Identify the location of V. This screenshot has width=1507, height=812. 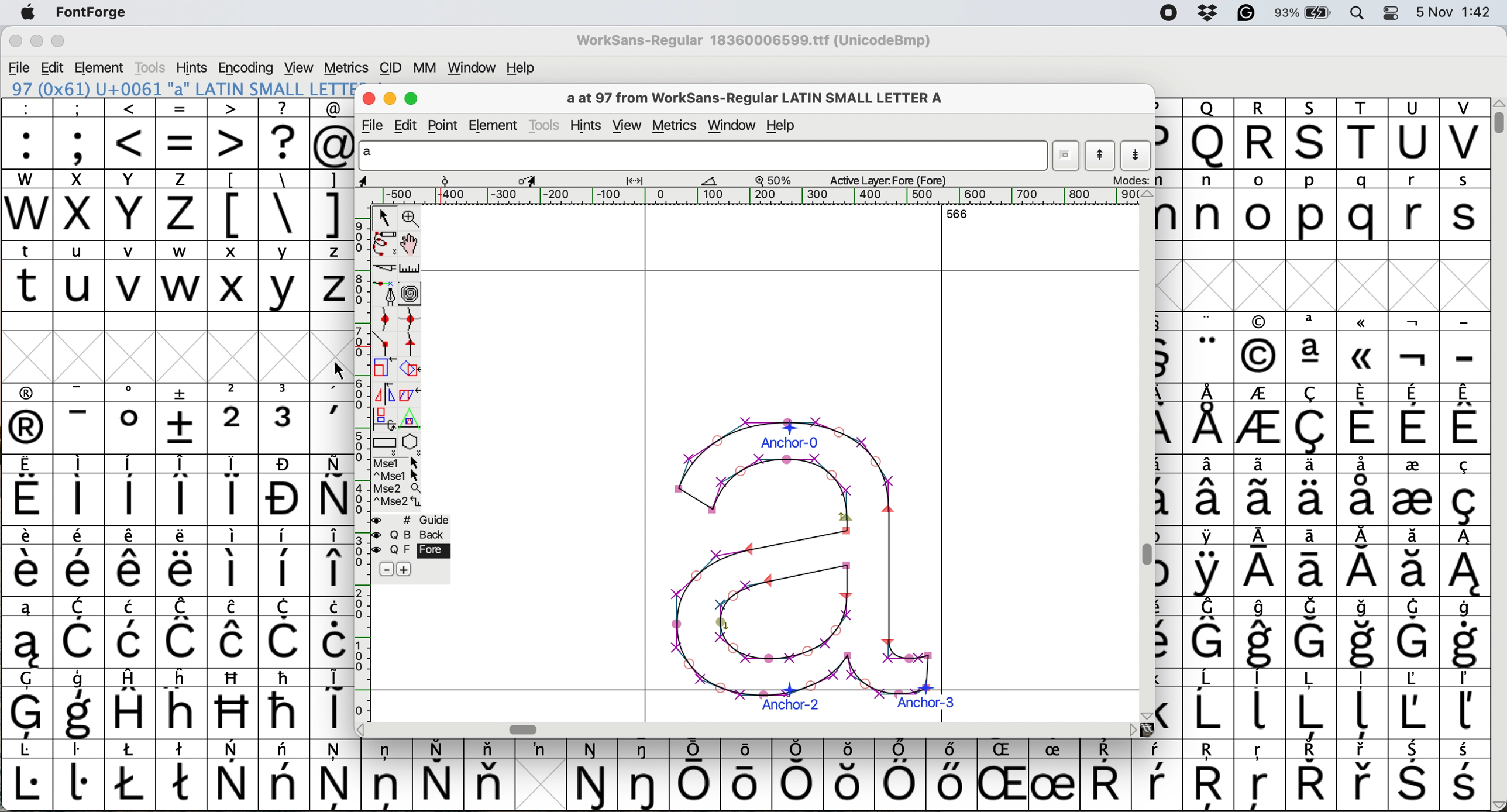
(1464, 134).